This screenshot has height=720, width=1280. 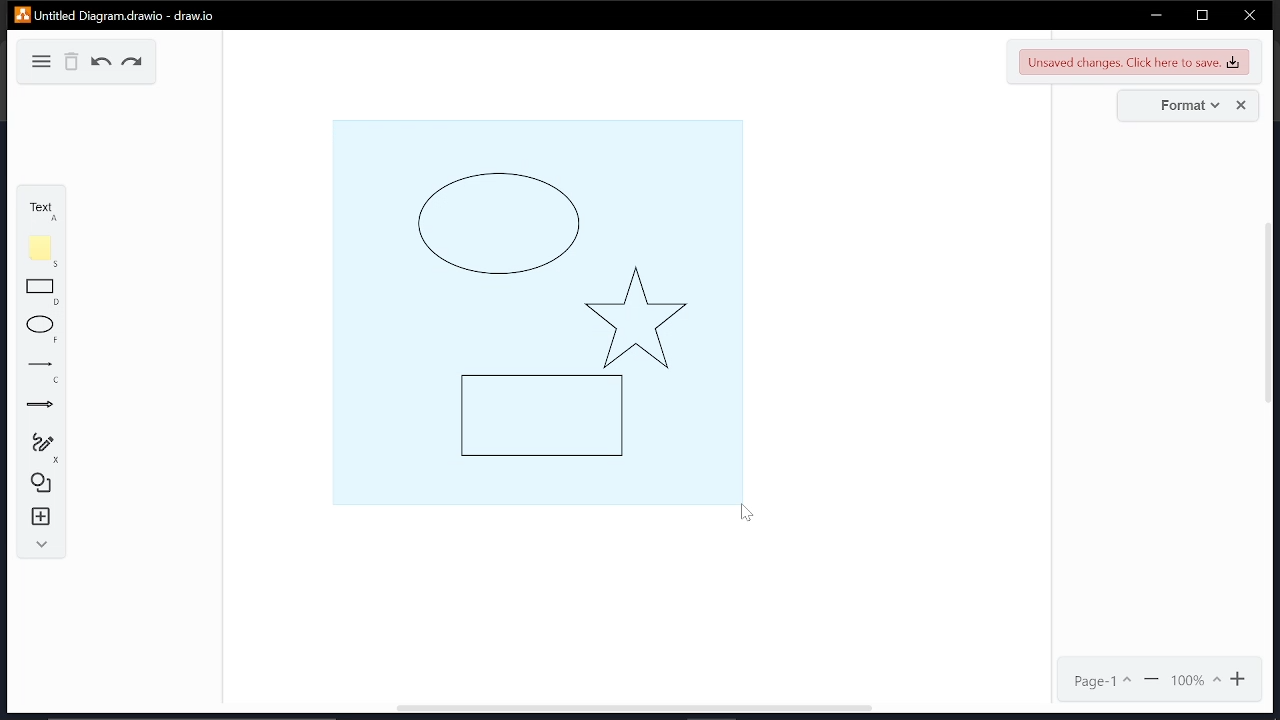 I want to click on zoom in, so click(x=1241, y=679).